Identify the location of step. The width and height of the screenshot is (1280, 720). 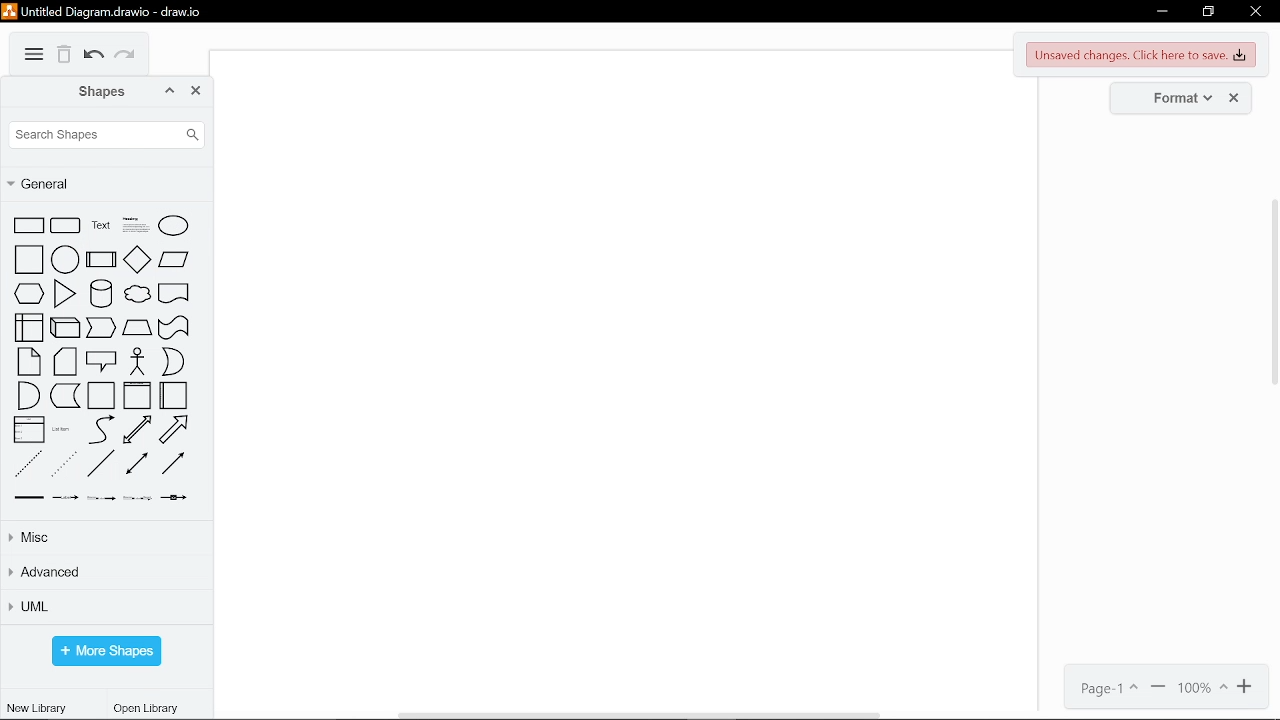
(102, 329).